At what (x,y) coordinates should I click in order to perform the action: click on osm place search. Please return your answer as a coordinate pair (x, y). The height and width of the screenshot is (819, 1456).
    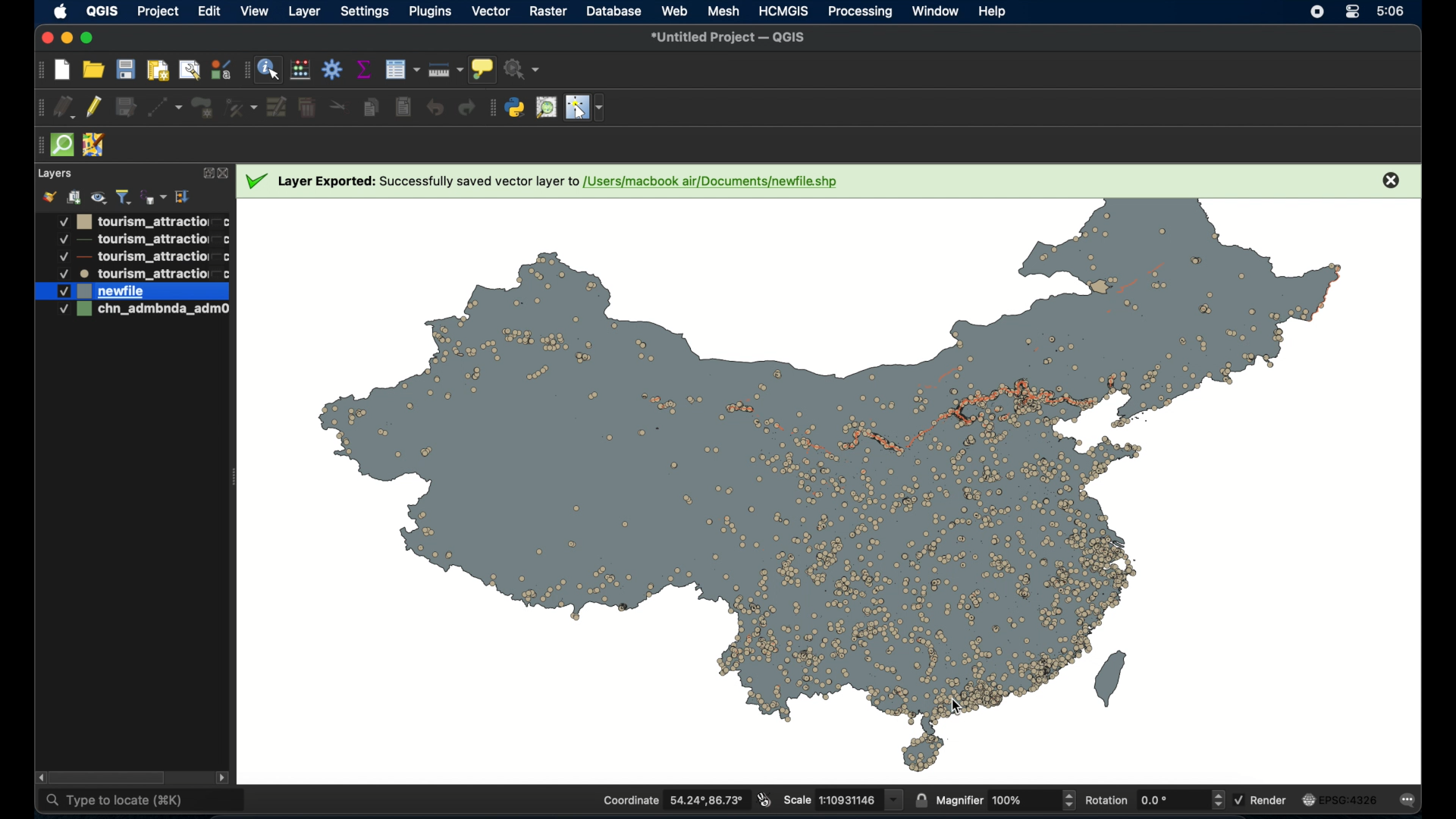
    Looking at the image, I should click on (548, 108).